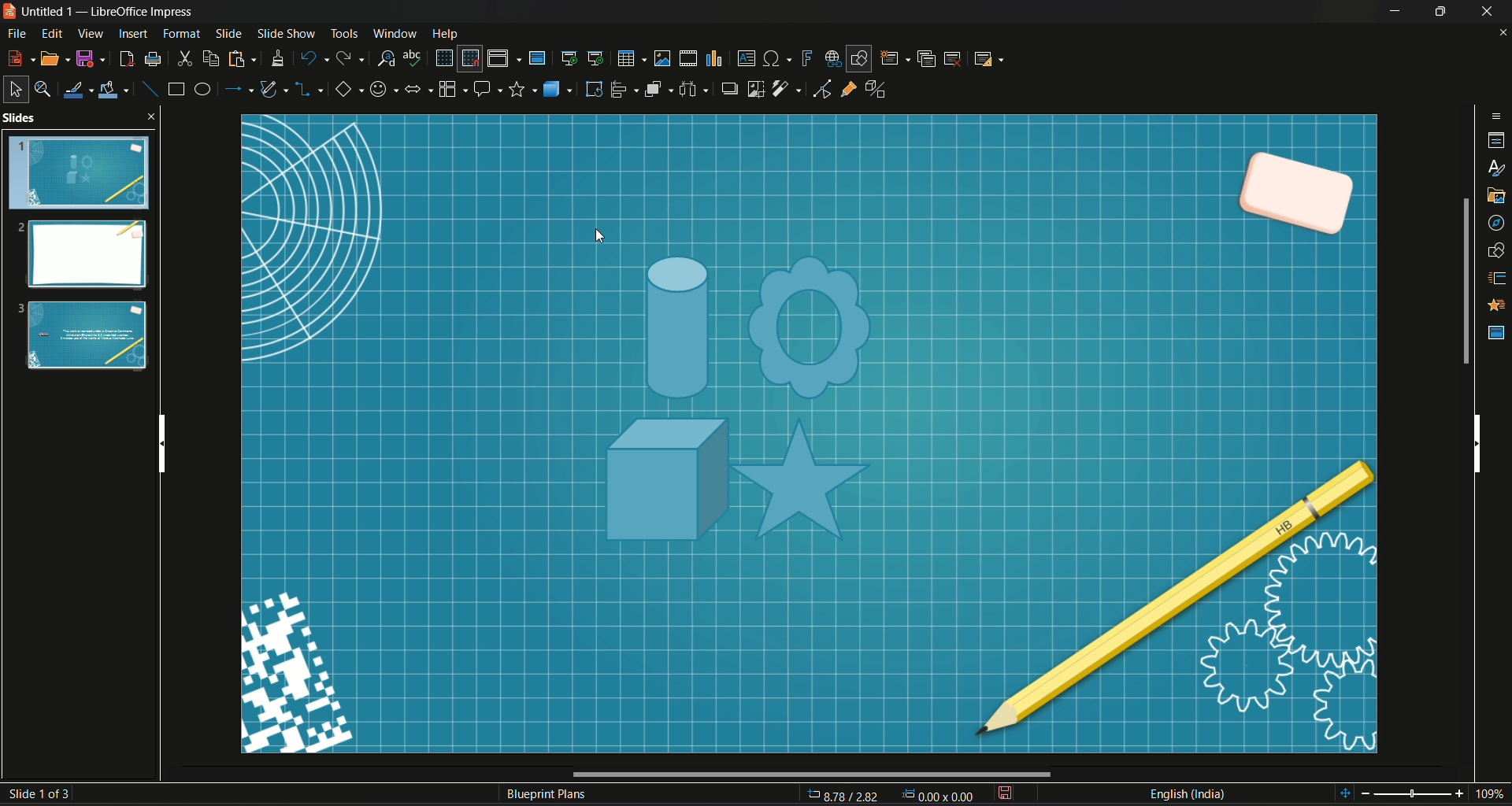 This screenshot has height=806, width=1512. I want to click on clone formatting, so click(277, 58).